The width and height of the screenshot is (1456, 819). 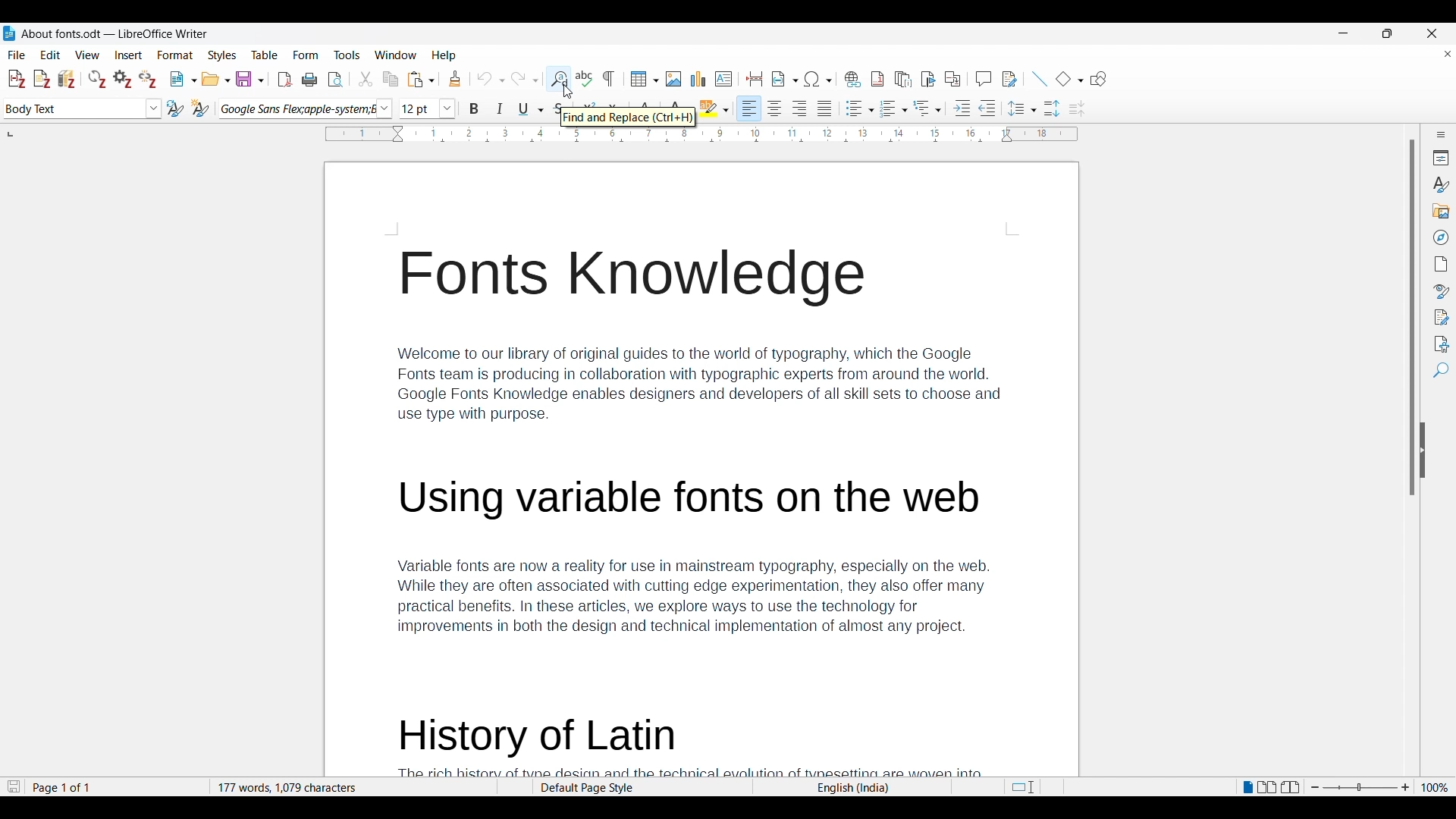 I want to click on Insert image, so click(x=673, y=79).